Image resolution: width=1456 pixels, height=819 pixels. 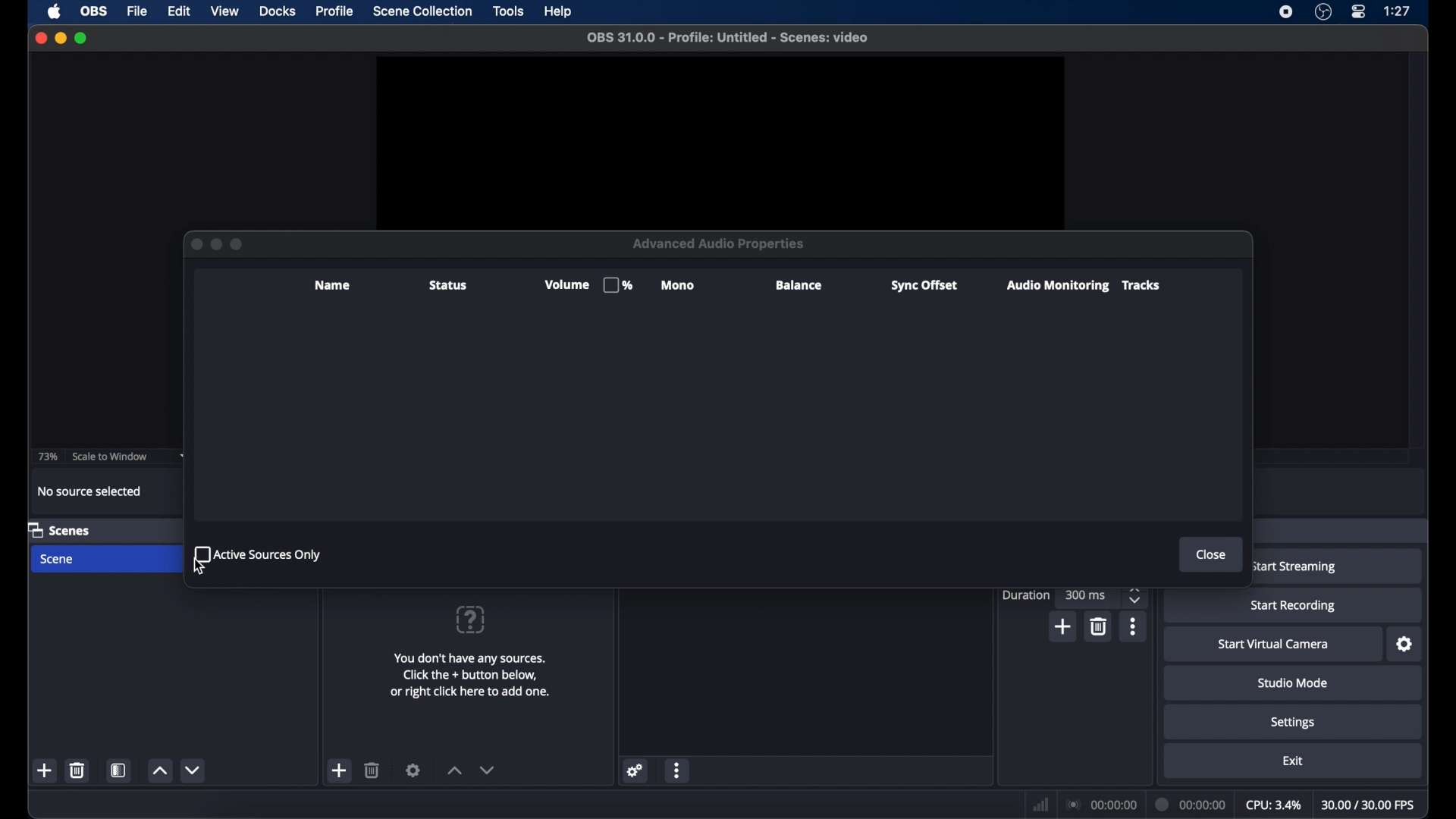 I want to click on cpu, so click(x=1272, y=805).